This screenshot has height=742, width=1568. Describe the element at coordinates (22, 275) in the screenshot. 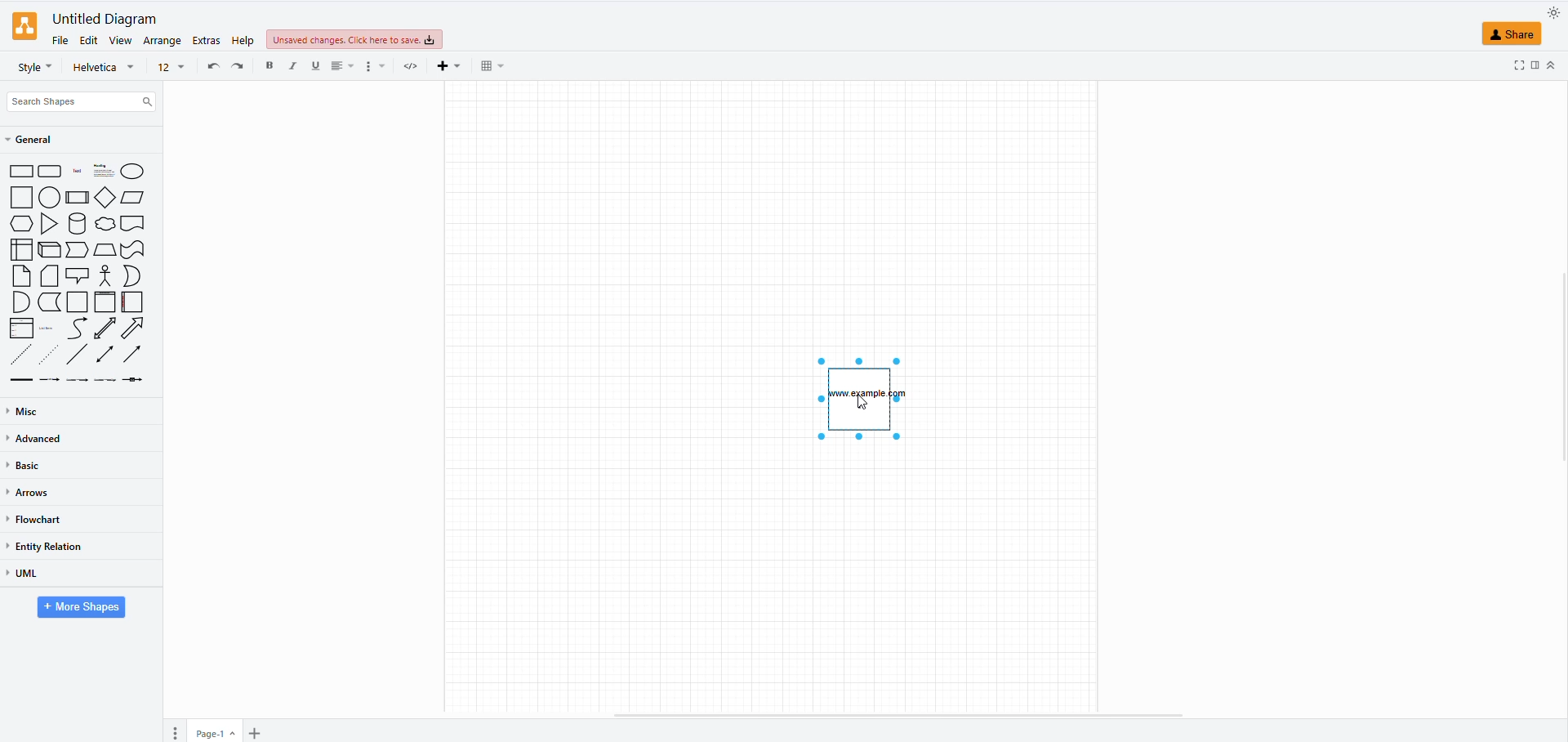

I see `note` at that location.